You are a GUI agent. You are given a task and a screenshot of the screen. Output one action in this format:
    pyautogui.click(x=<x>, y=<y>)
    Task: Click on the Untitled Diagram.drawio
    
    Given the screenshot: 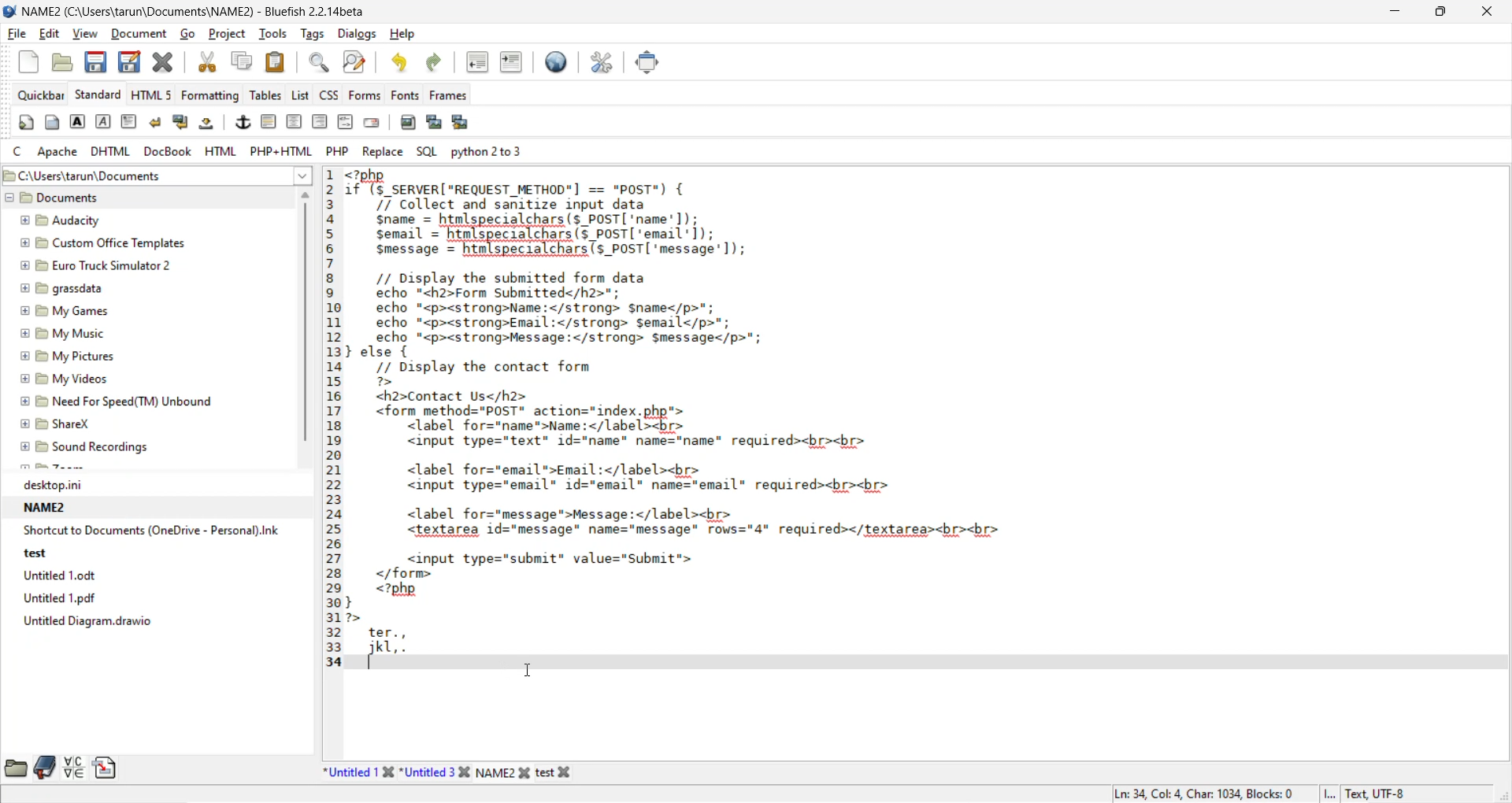 What is the action you would take?
    pyautogui.click(x=98, y=626)
    